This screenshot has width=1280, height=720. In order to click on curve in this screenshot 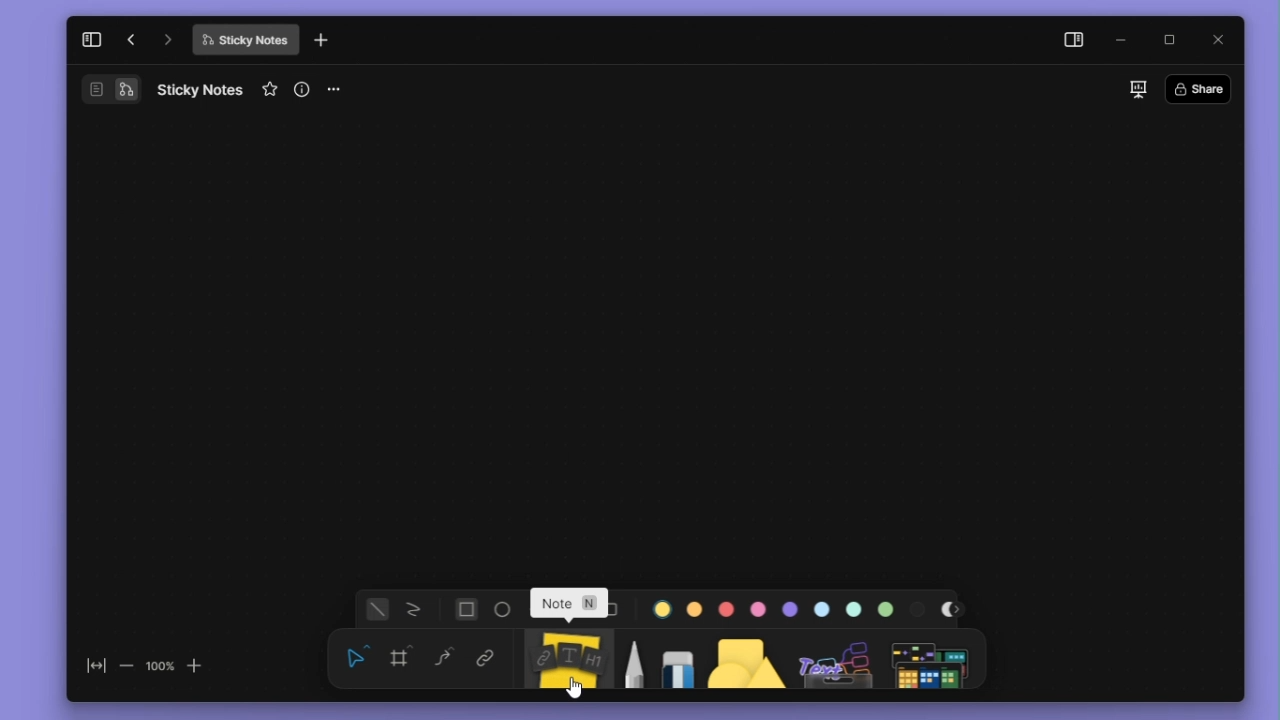, I will do `click(446, 664)`.